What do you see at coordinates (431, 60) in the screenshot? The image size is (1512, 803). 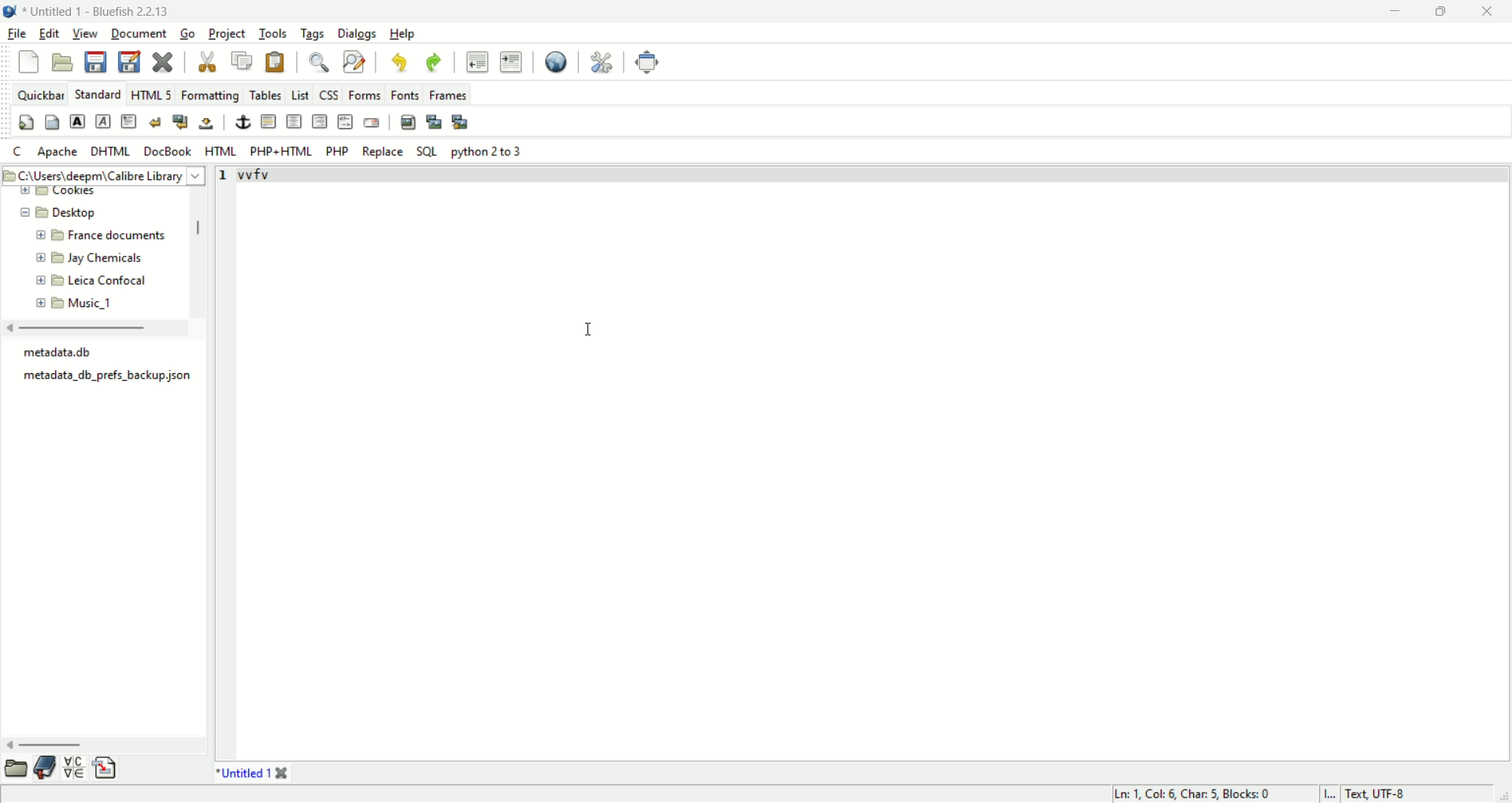 I see `redo` at bounding box center [431, 60].